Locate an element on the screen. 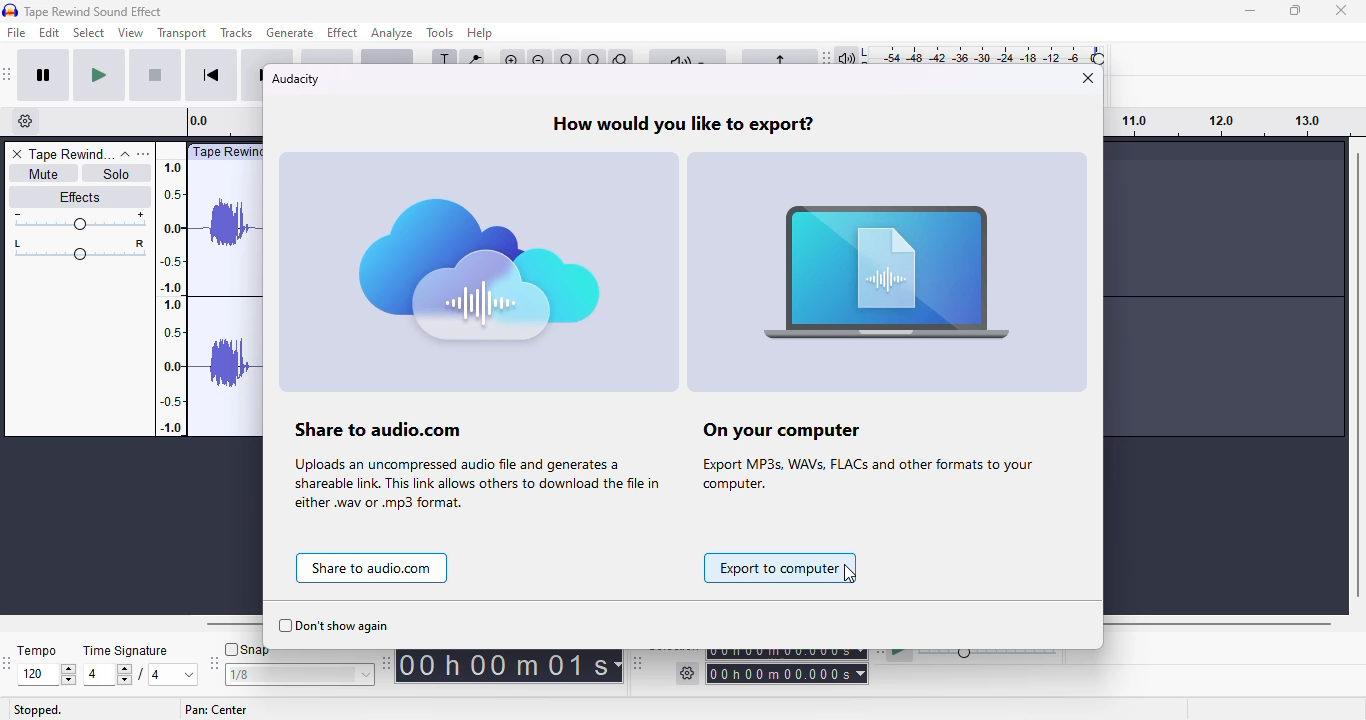 Image resolution: width=1366 pixels, height=720 pixels. zoom out is located at coordinates (540, 61).